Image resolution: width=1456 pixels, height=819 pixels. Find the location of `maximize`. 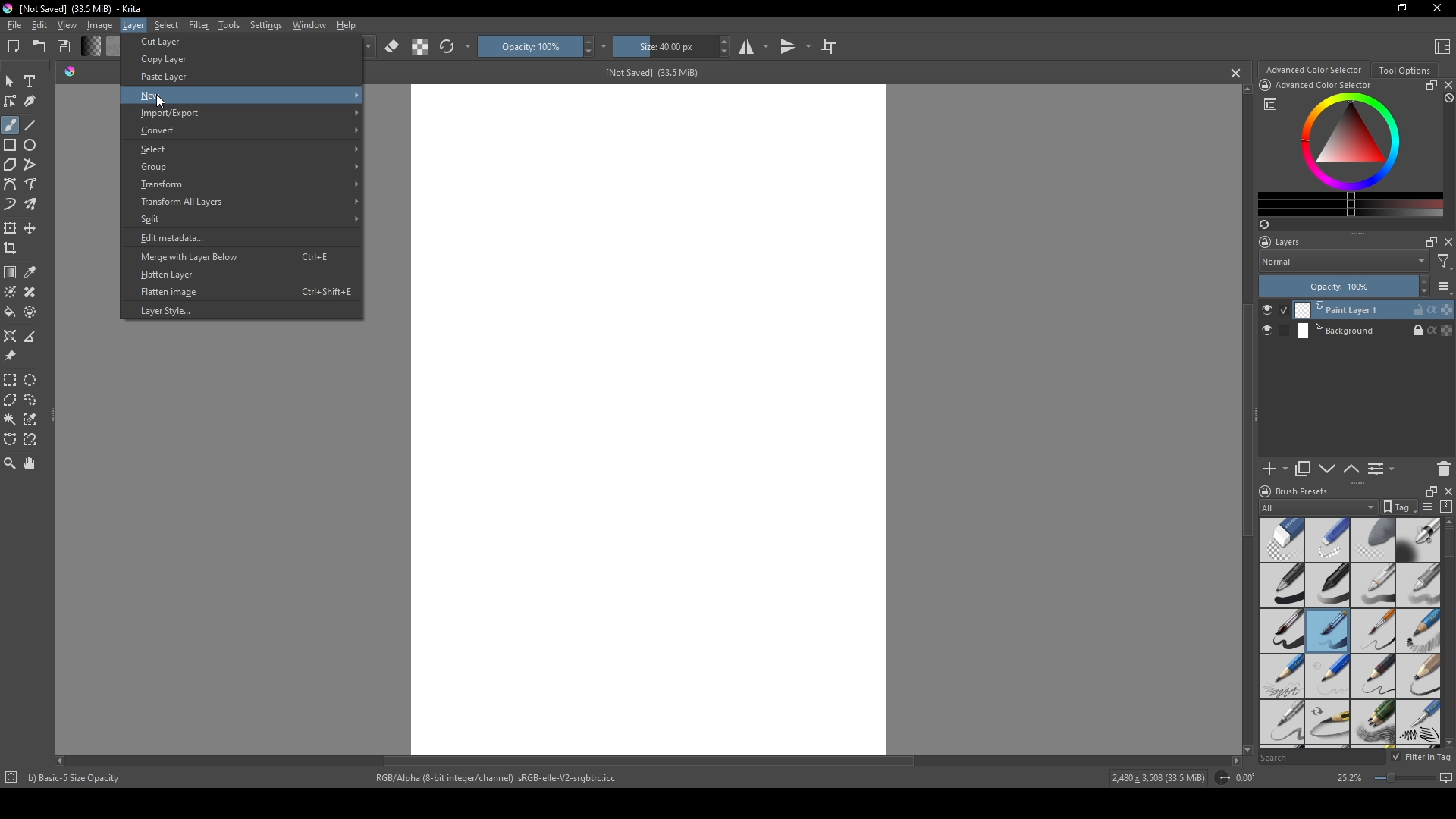

maximize is located at coordinates (1428, 241).